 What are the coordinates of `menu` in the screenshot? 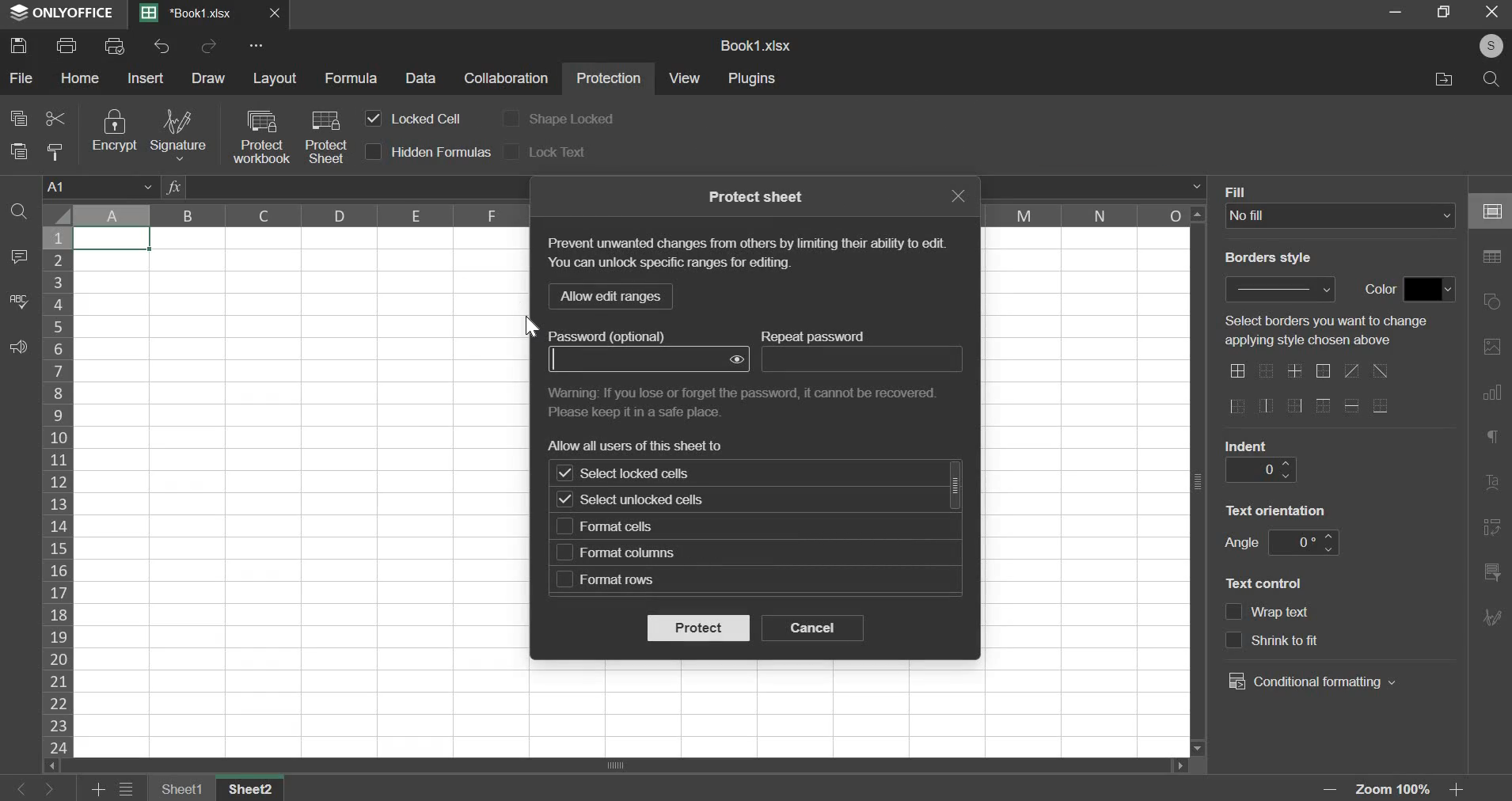 It's located at (127, 790).